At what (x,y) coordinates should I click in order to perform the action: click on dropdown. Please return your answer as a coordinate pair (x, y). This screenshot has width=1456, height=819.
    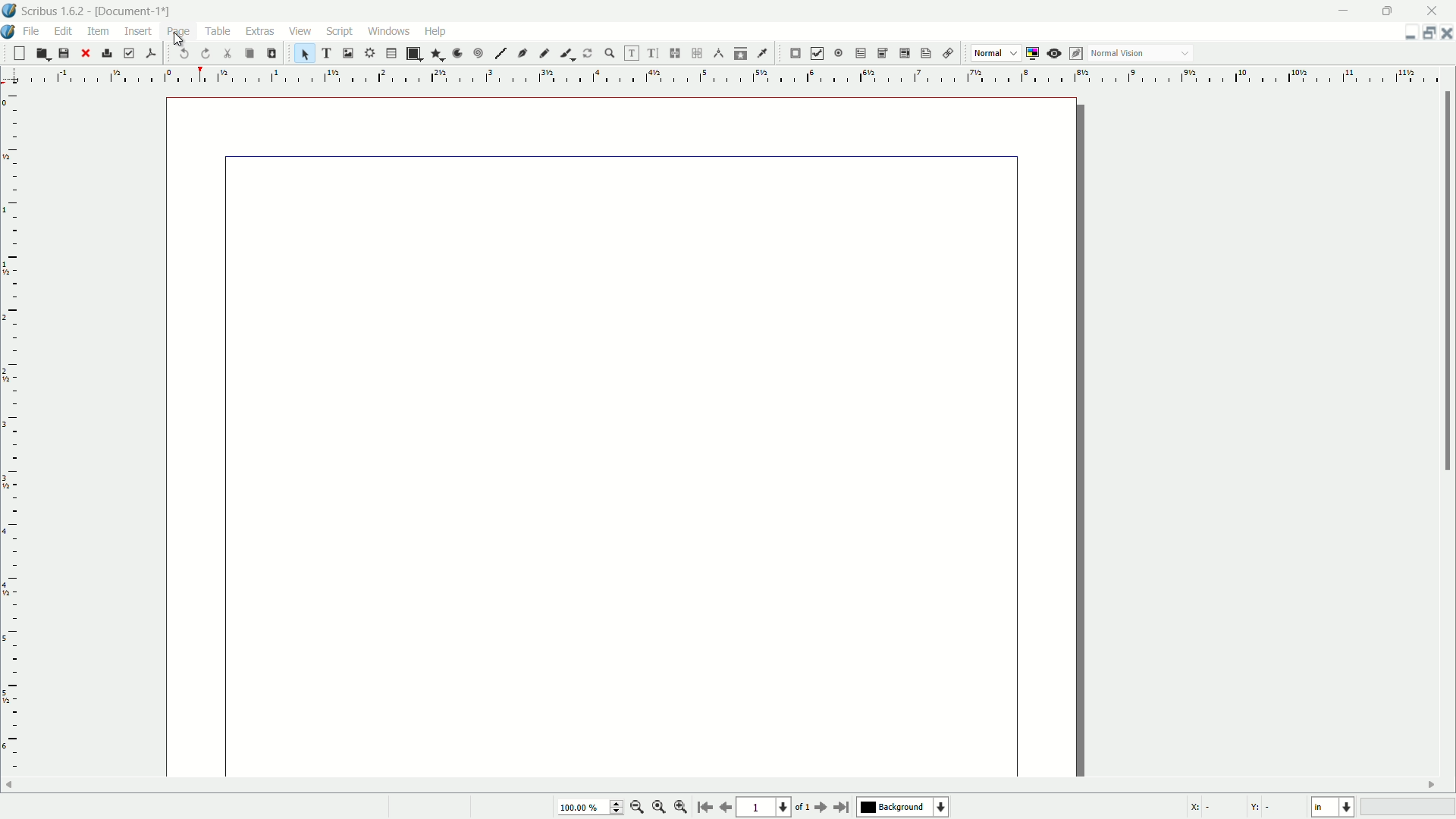
    Looking at the image, I should click on (1185, 55).